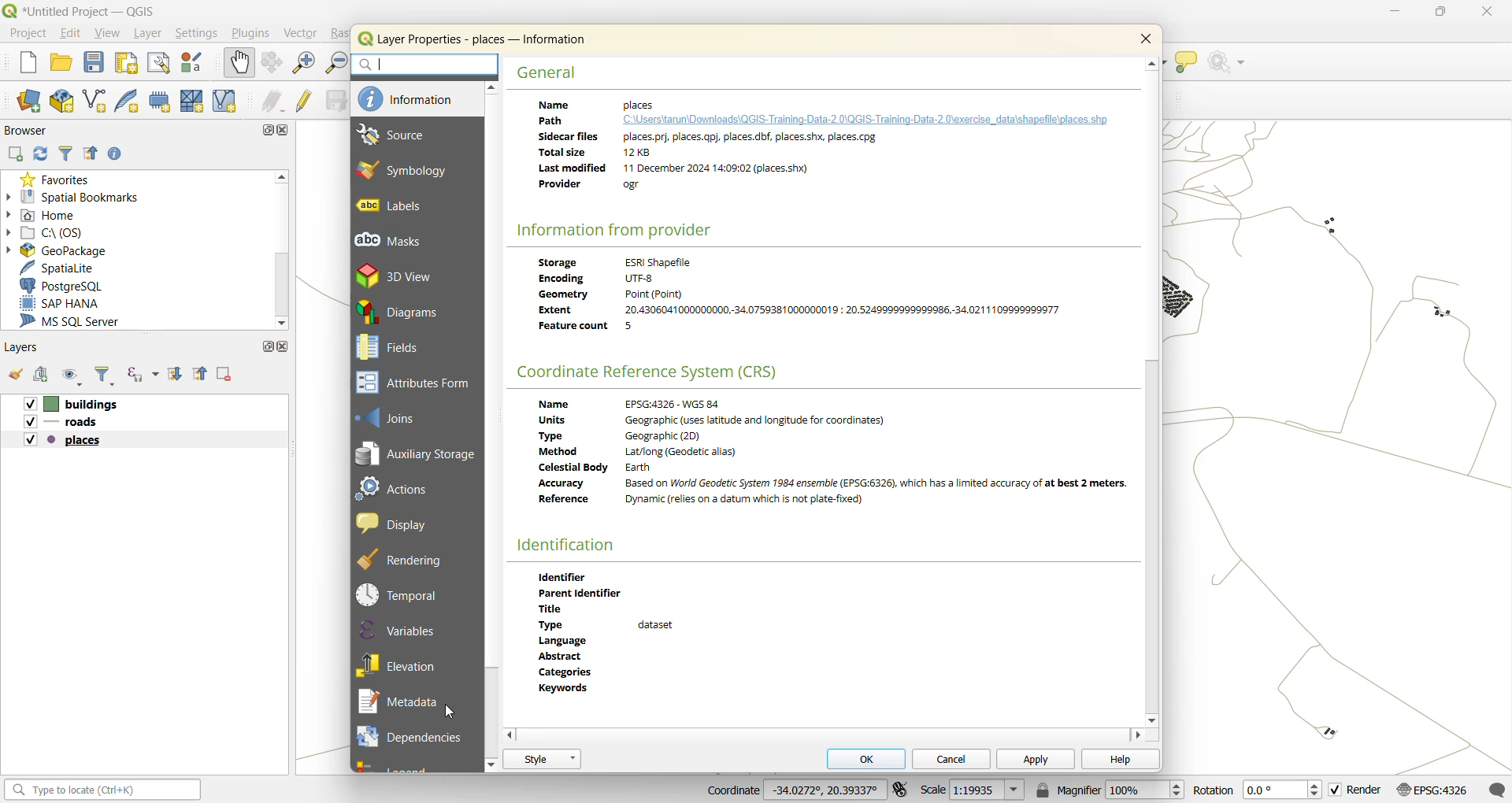 This screenshot has height=803, width=1512. What do you see at coordinates (61, 302) in the screenshot?
I see `sap hana` at bounding box center [61, 302].